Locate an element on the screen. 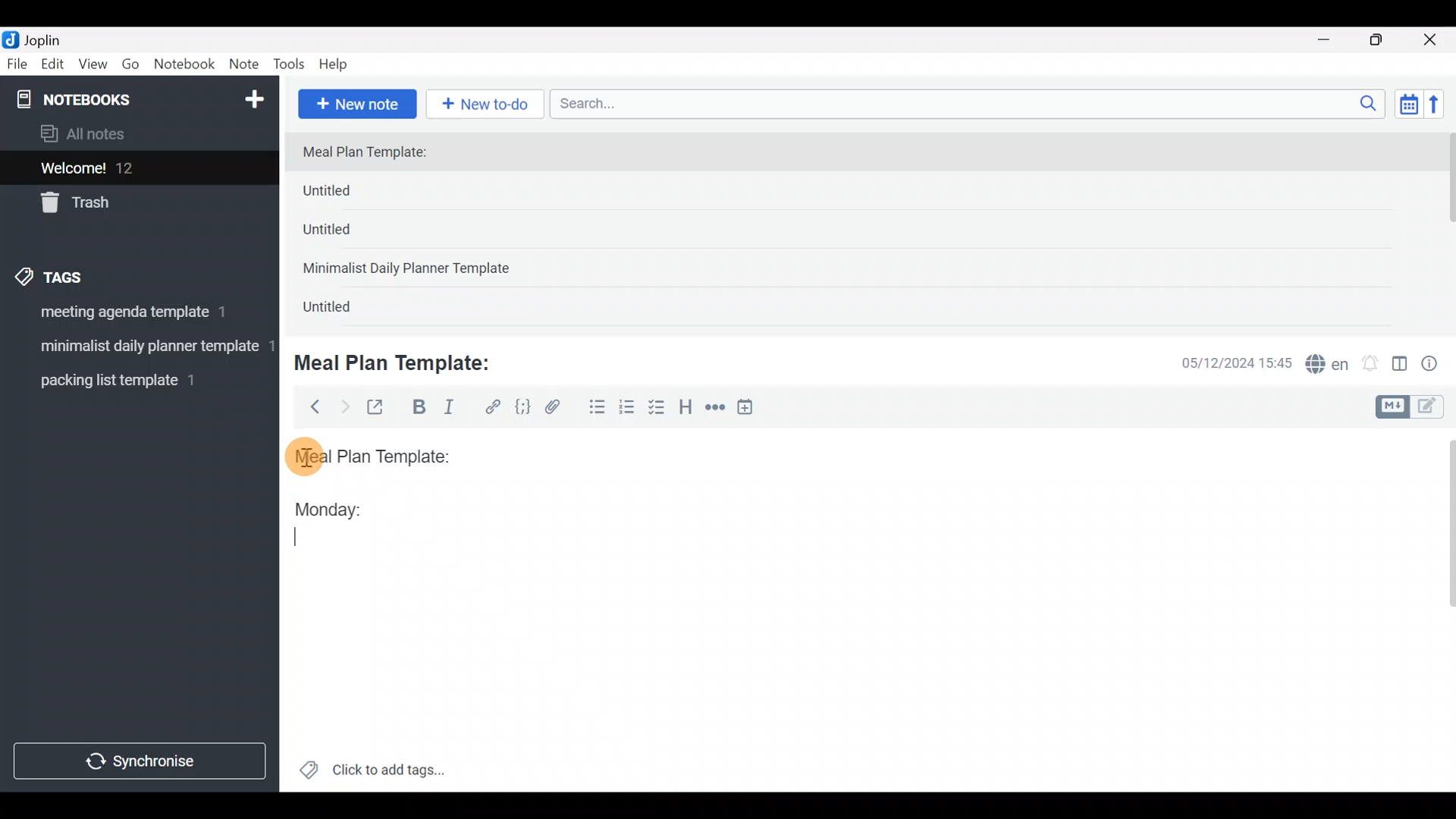  Tools is located at coordinates (290, 65).